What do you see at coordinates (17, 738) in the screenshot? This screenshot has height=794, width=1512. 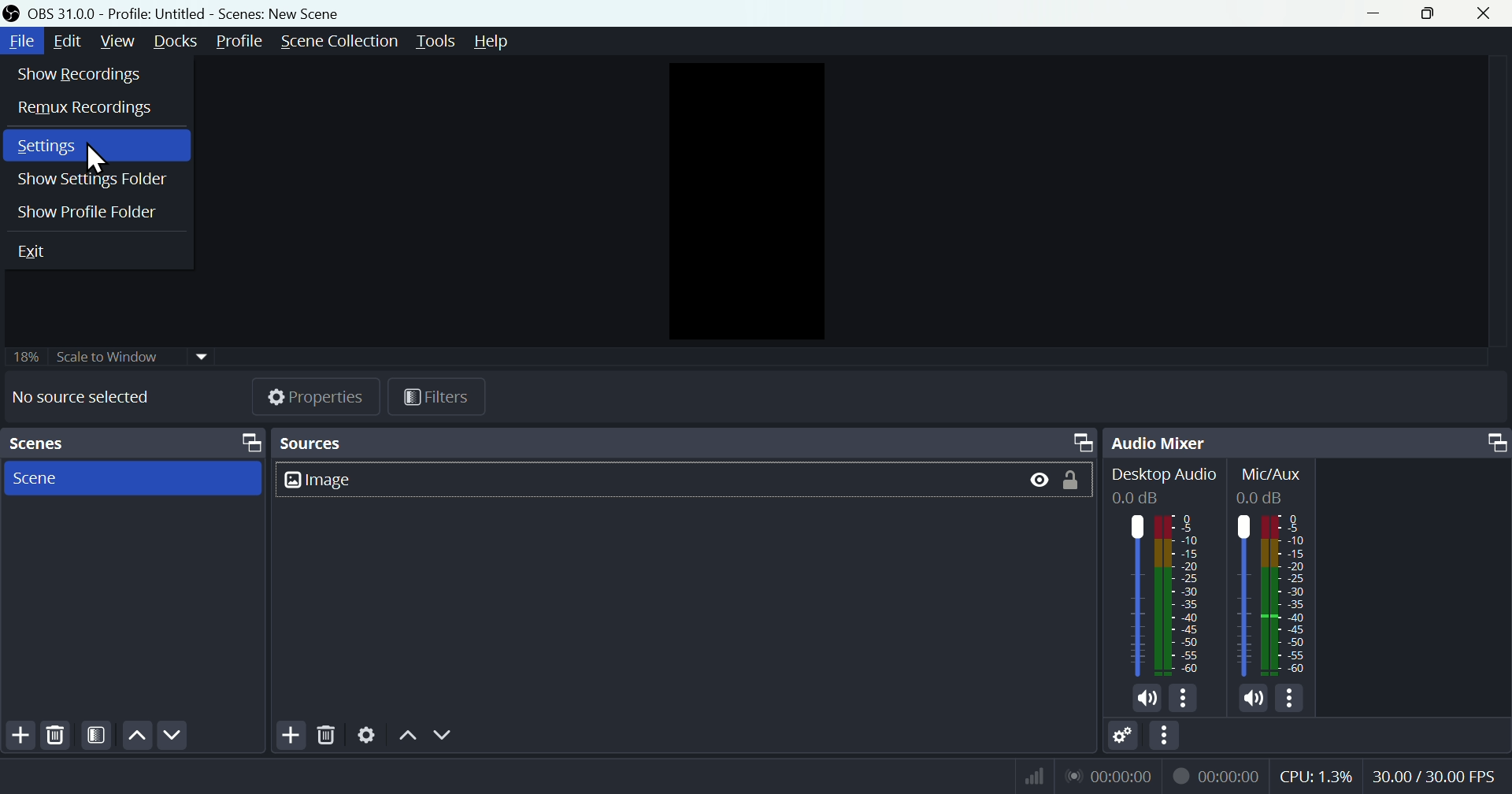 I see `Add` at bounding box center [17, 738].